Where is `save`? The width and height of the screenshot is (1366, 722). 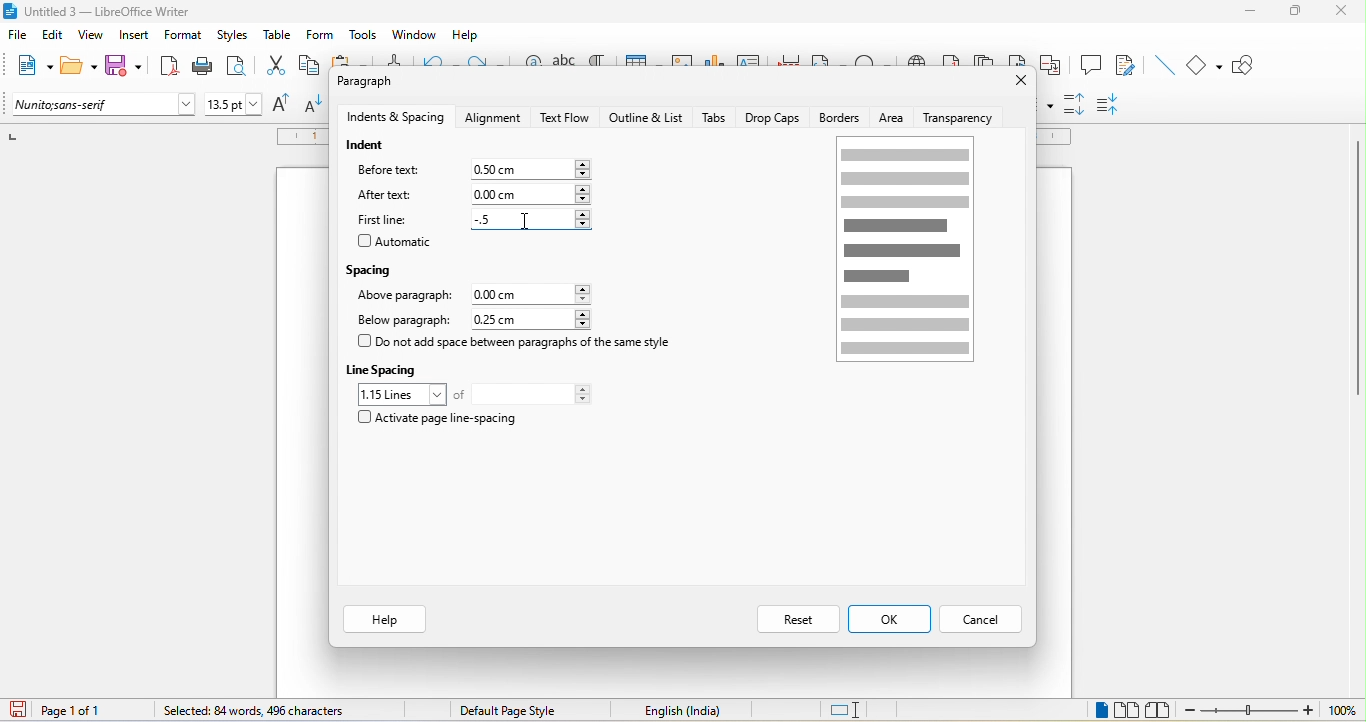
save is located at coordinates (125, 66).